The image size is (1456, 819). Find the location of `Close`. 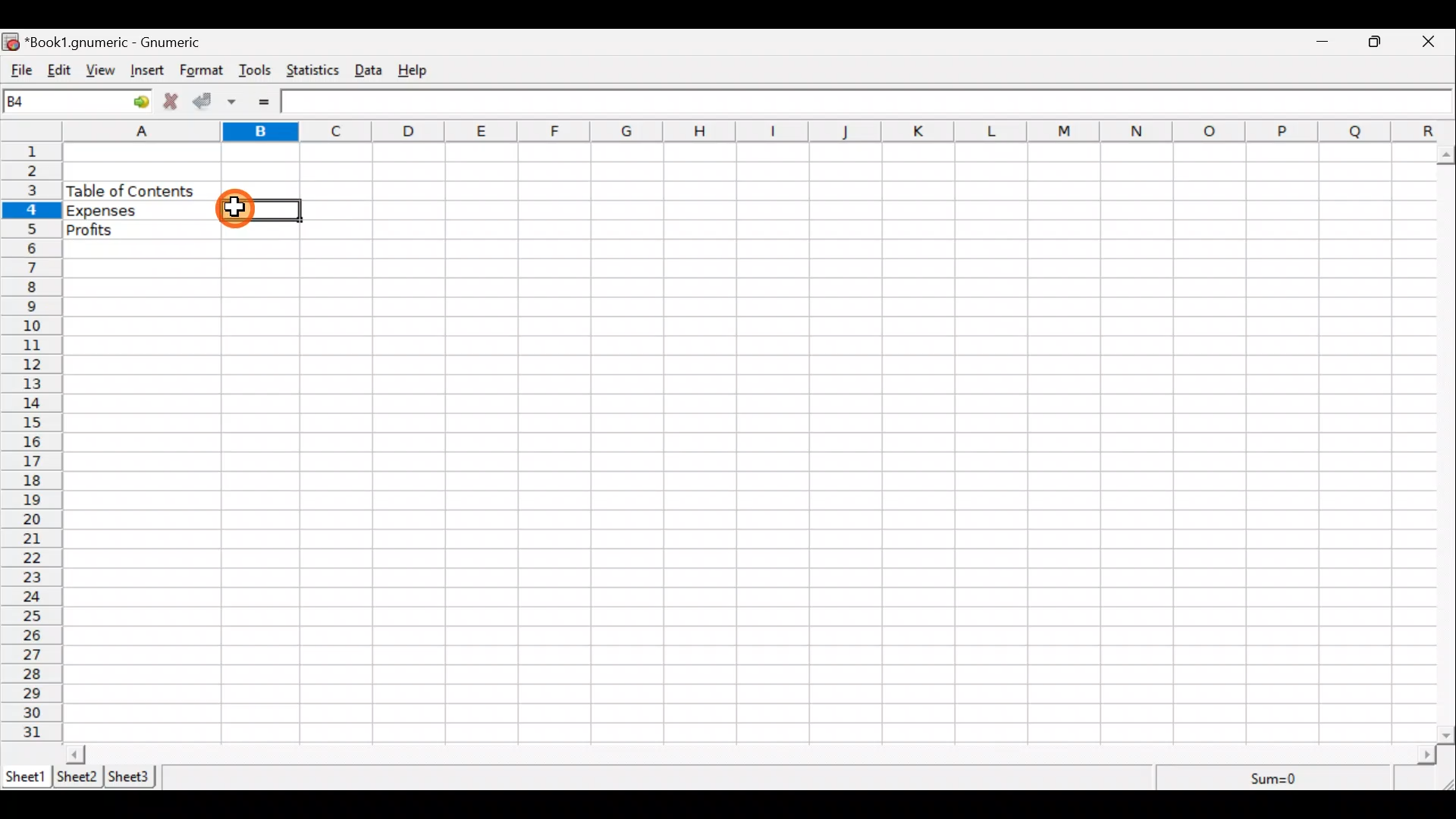

Close is located at coordinates (1435, 42).